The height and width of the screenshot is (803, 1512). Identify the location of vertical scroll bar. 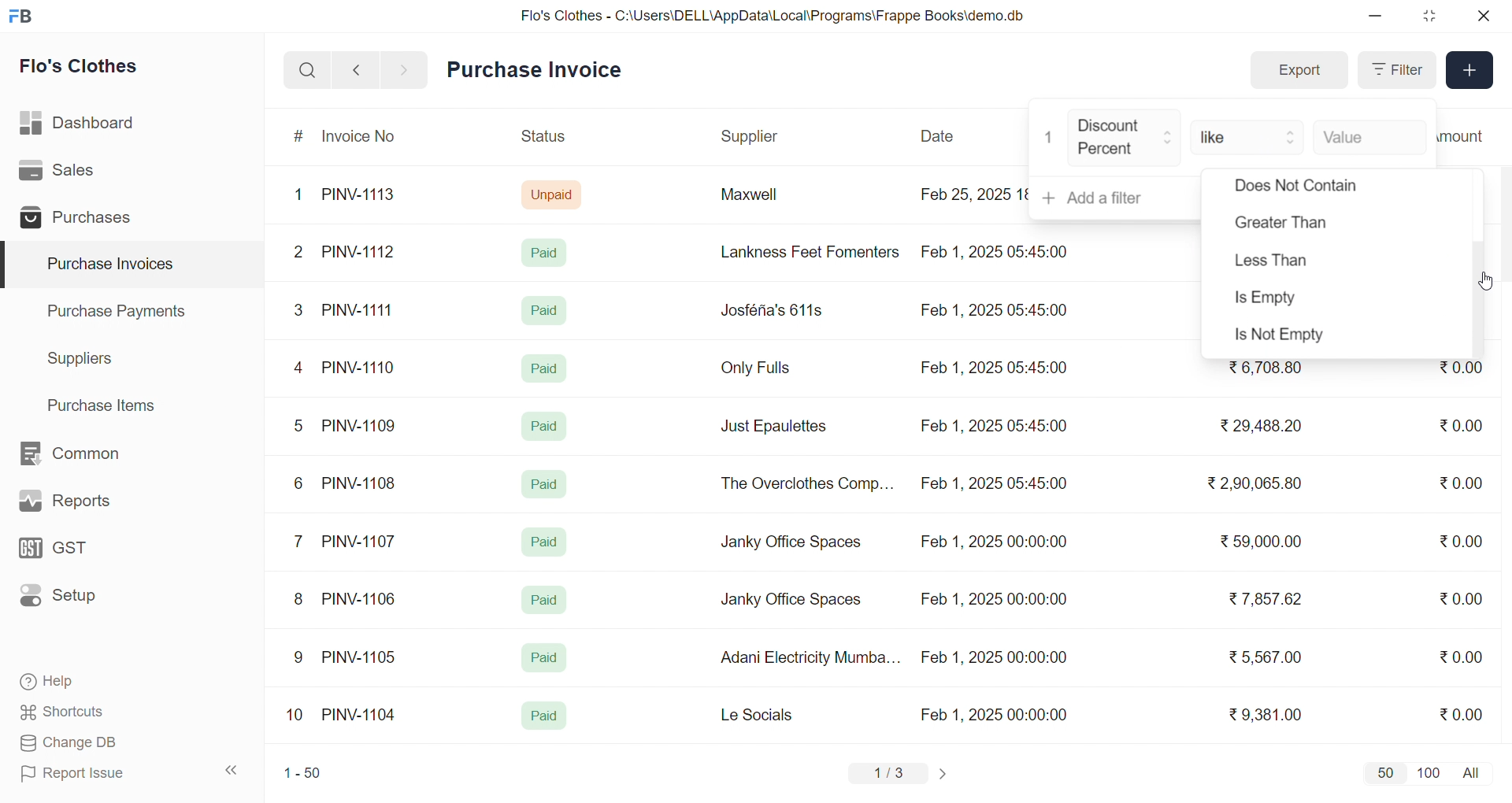
(1479, 298).